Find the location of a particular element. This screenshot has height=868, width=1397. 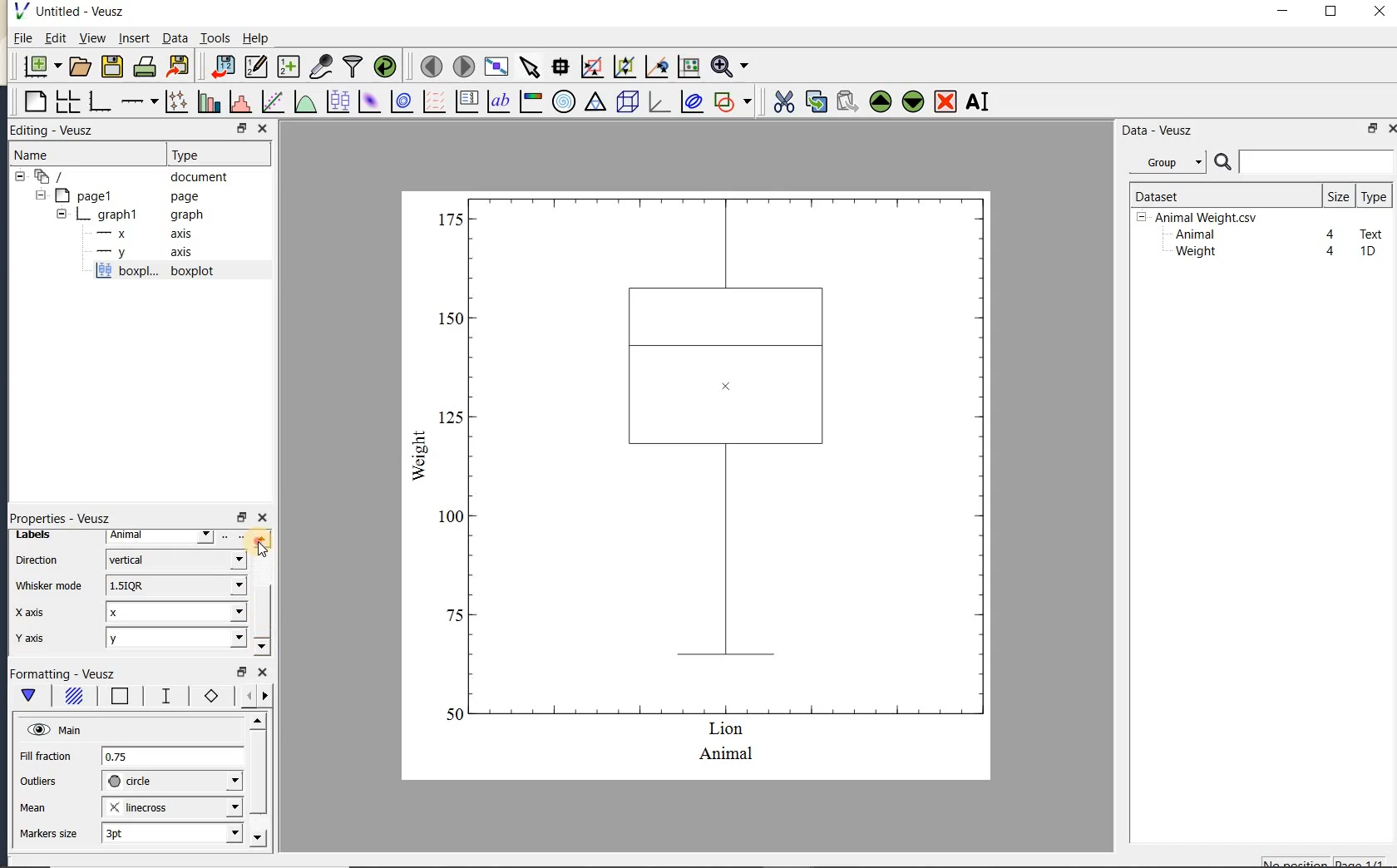

Untitled-Veusz is located at coordinates (74, 12).